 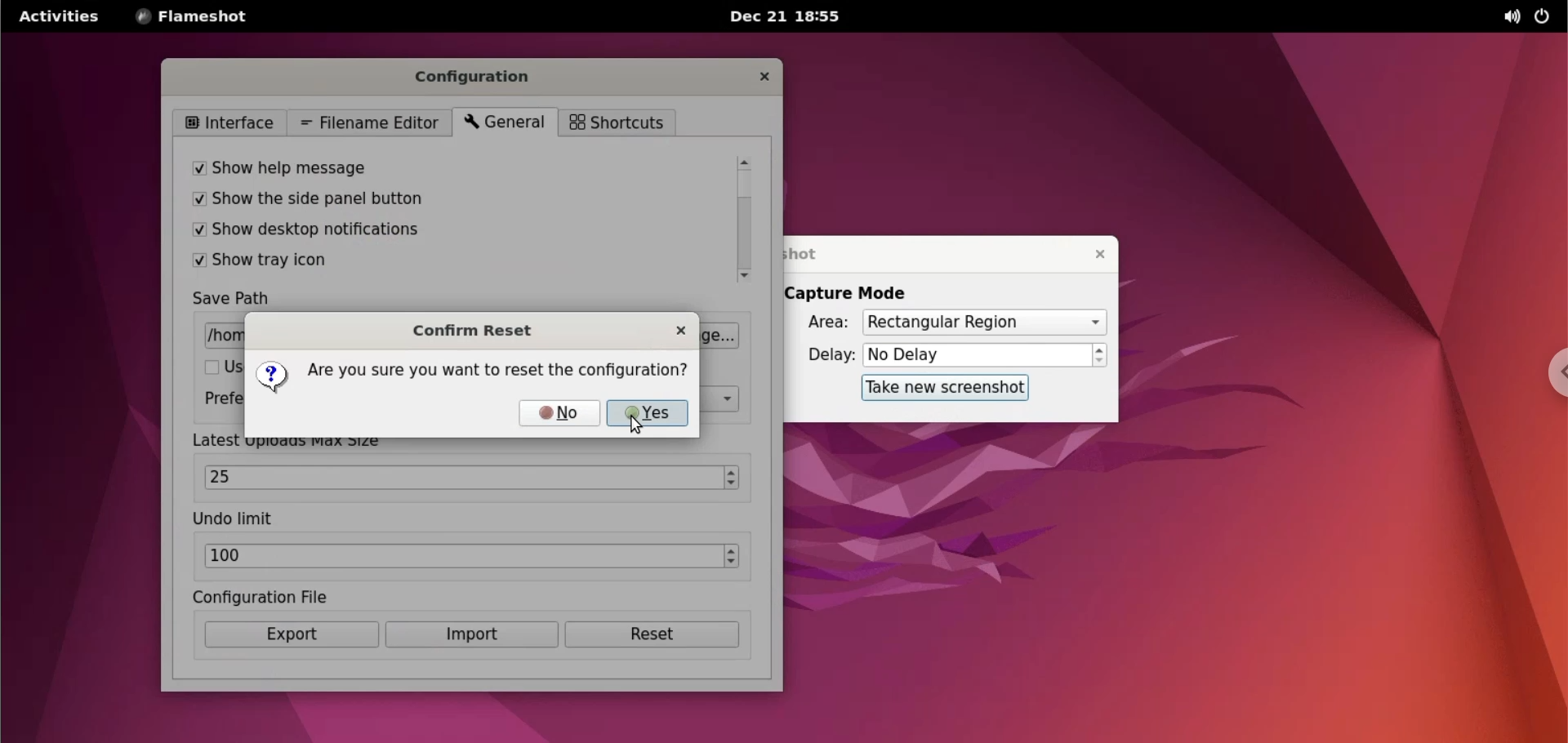 What do you see at coordinates (1508, 17) in the screenshot?
I see `sound options` at bounding box center [1508, 17].